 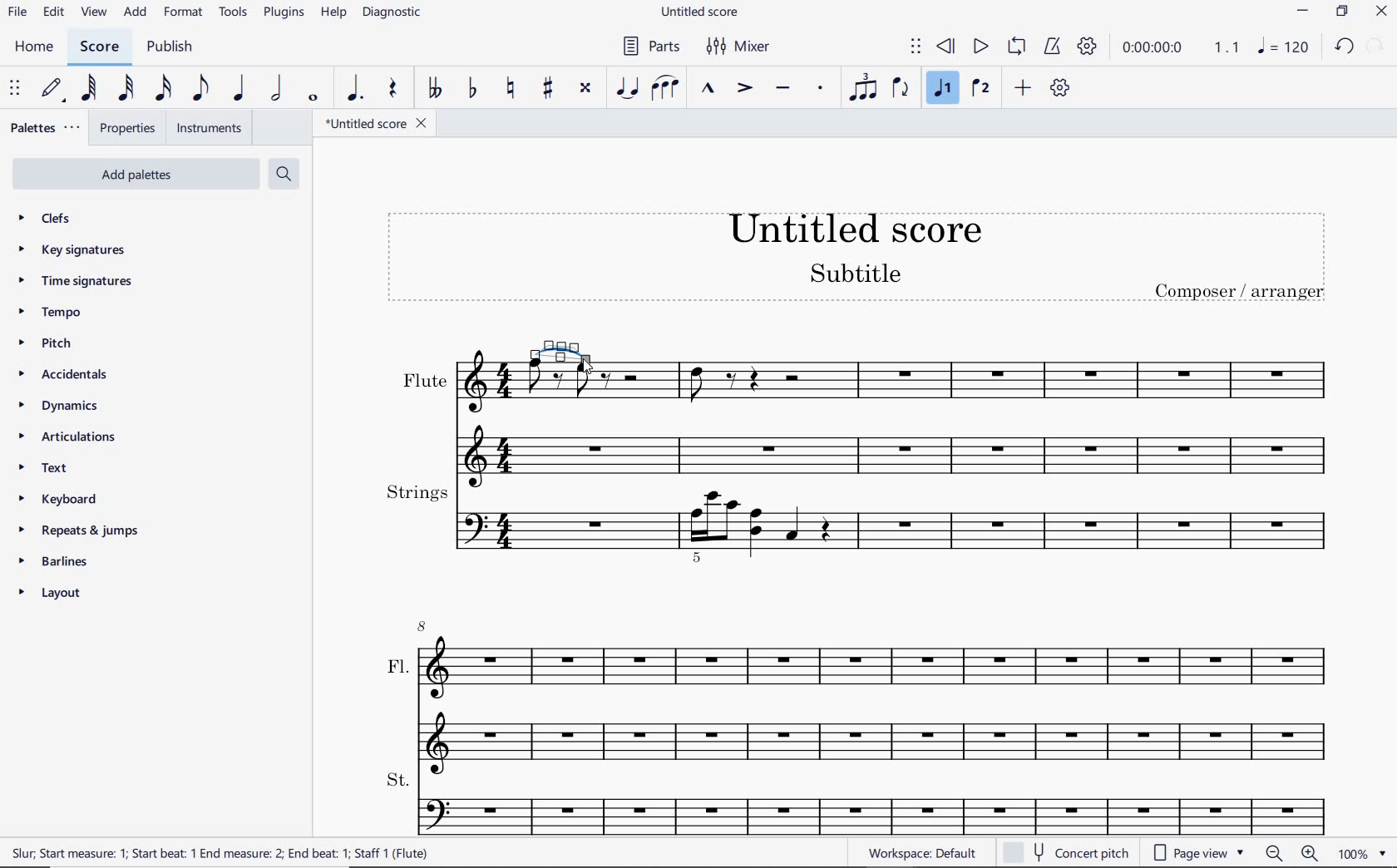 I want to click on minimize, so click(x=1304, y=13).